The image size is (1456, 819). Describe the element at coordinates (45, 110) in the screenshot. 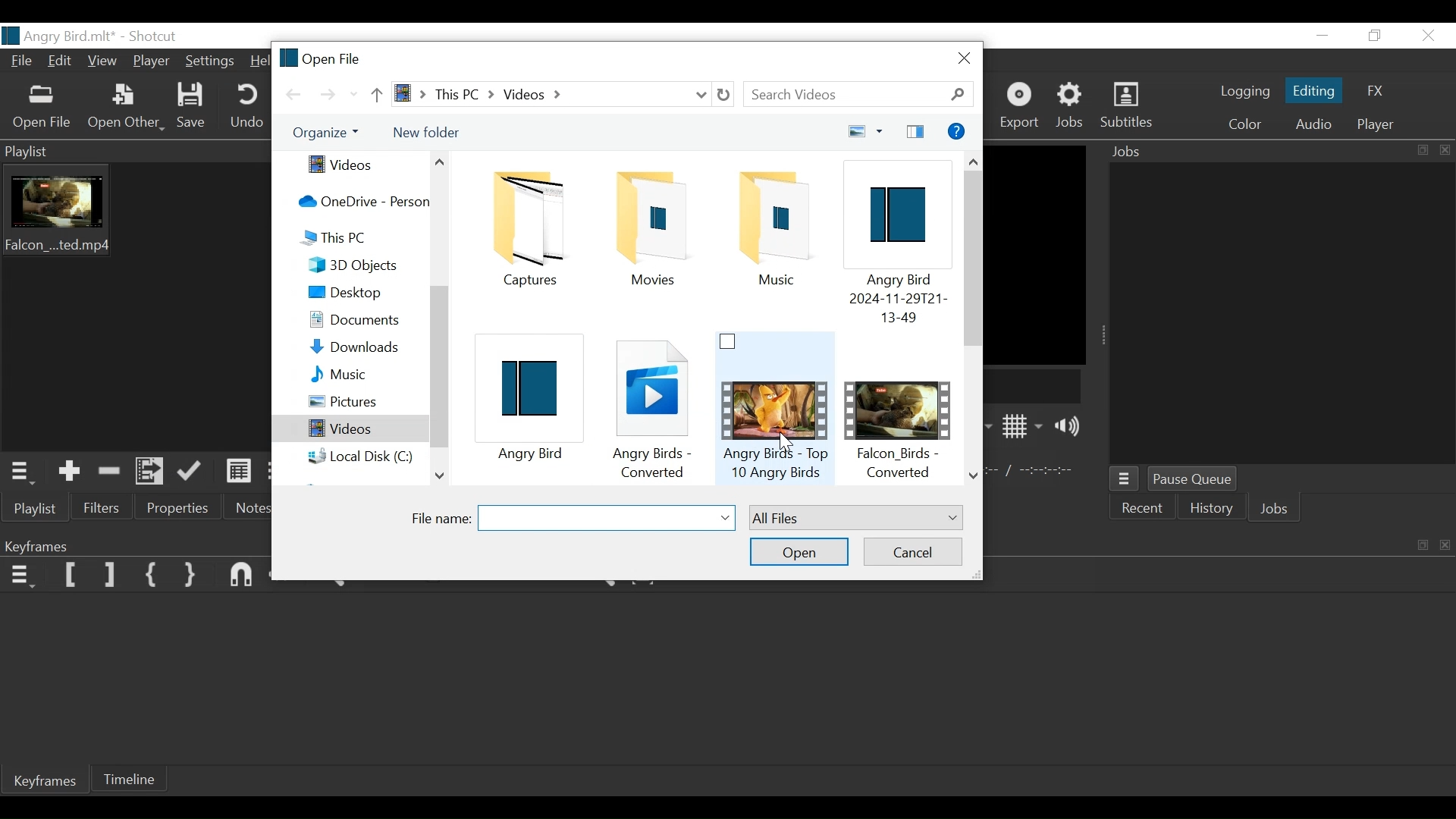

I see `Open File` at that location.